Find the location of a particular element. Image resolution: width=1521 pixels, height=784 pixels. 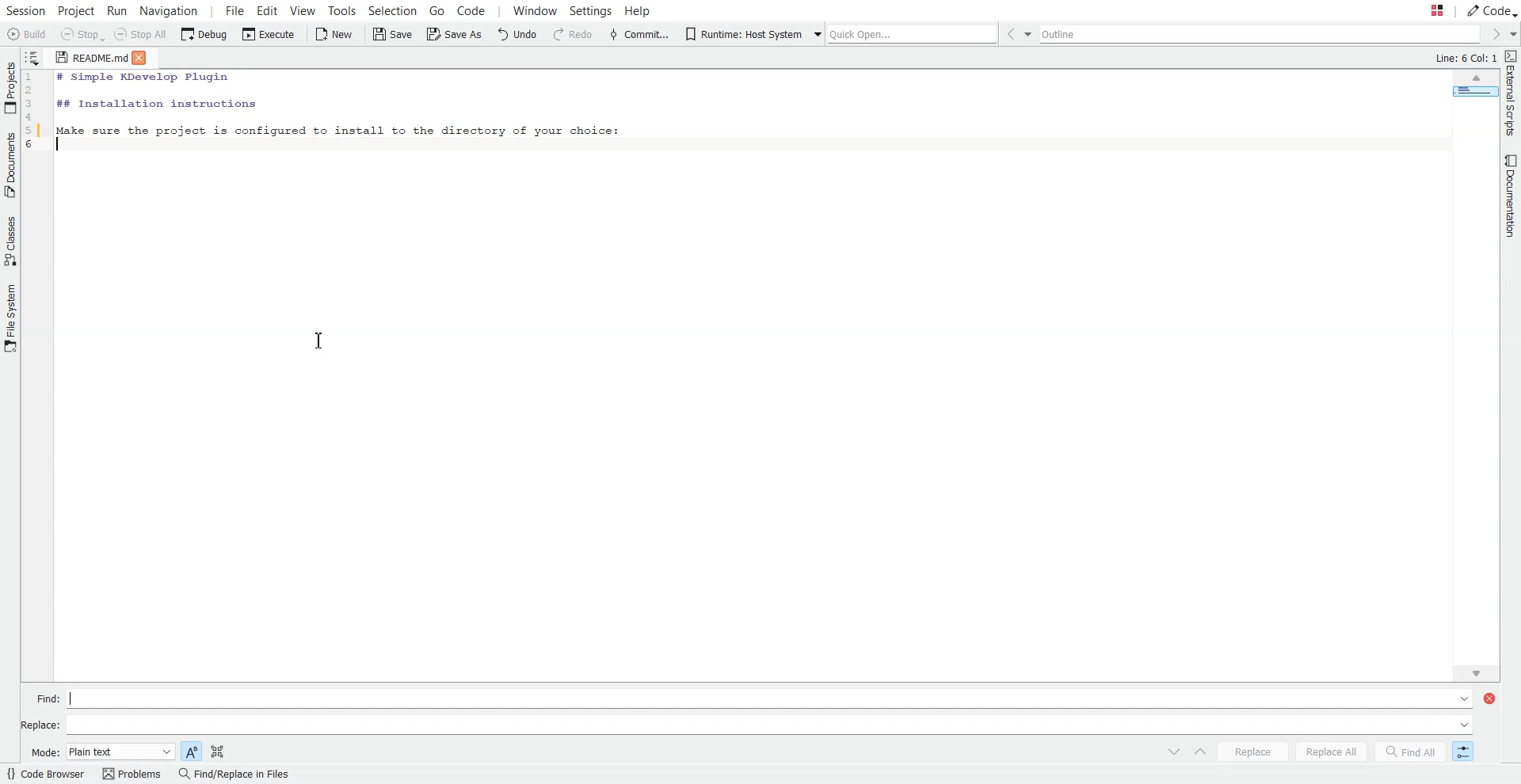

Close Window is located at coordinates (1494, 697).